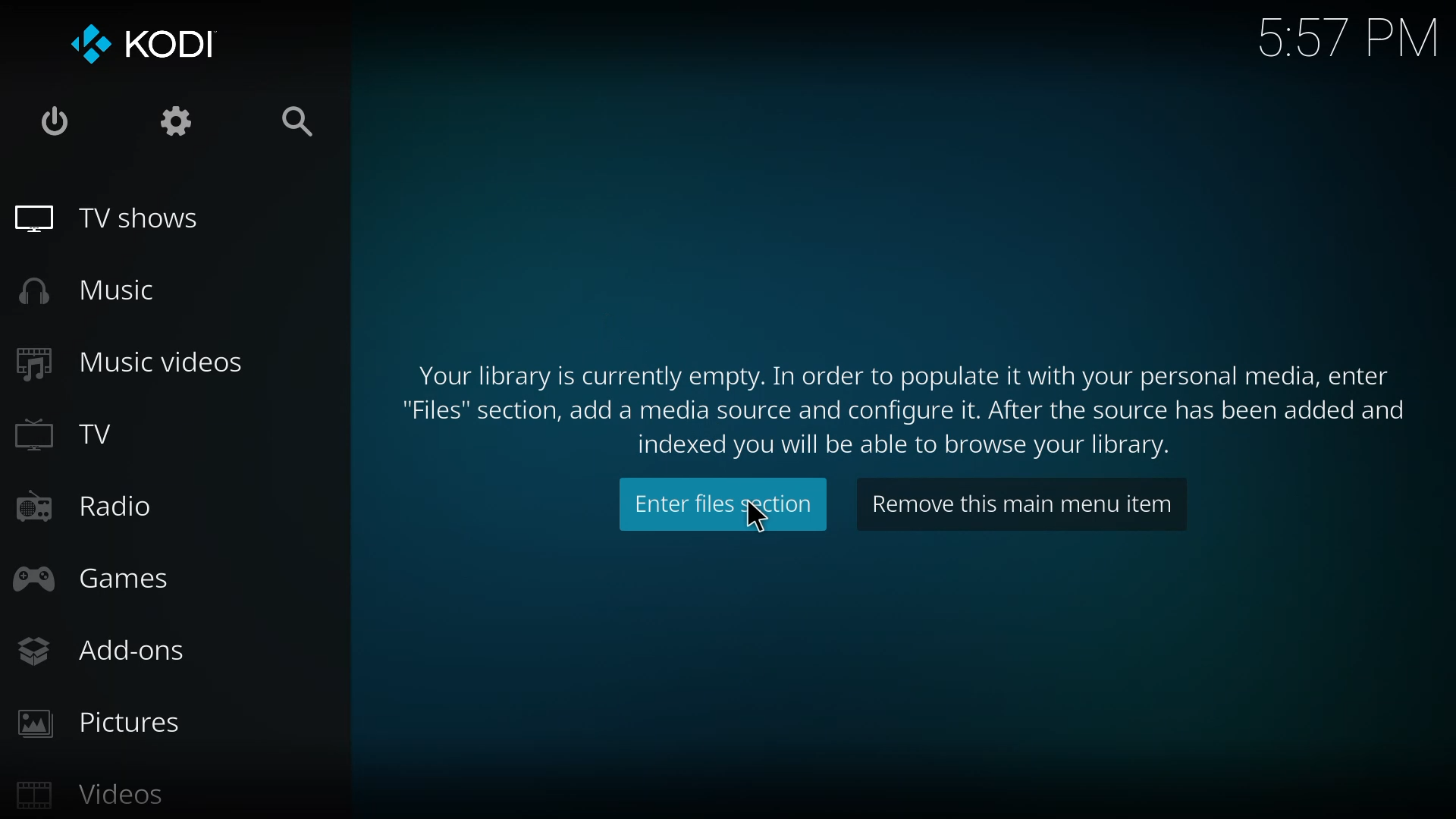 The image size is (1456, 819). Describe the element at coordinates (756, 516) in the screenshot. I see `cursor` at that location.